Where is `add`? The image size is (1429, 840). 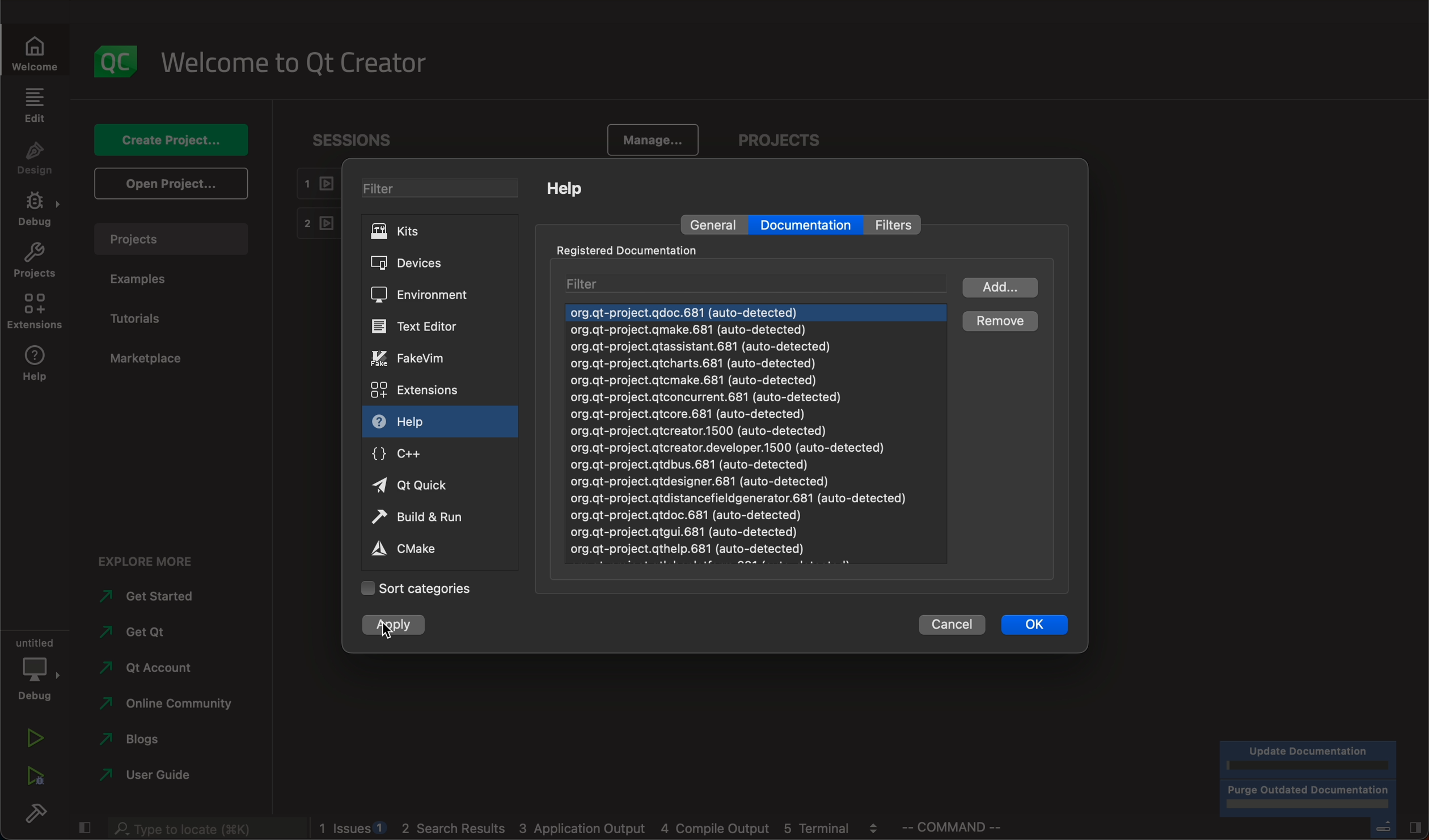
add is located at coordinates (1000, 286).